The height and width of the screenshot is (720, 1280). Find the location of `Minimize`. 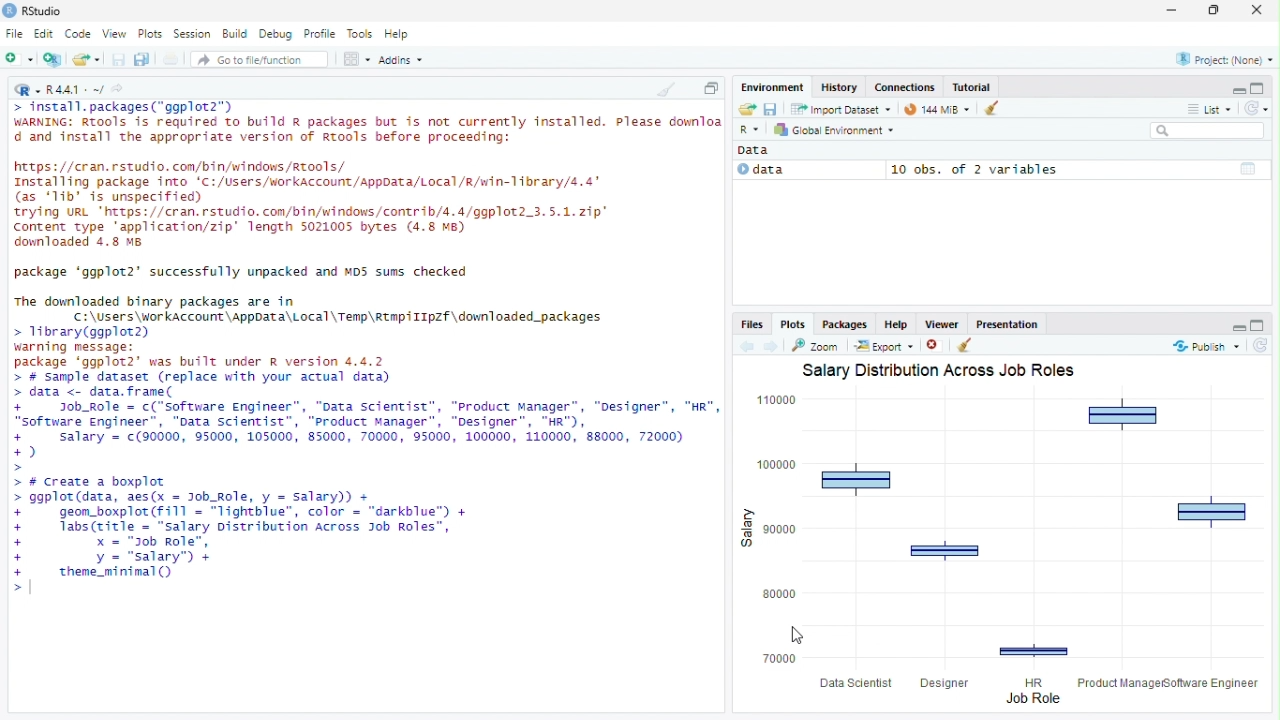

Minimize is located at coordinates (1233, 87).